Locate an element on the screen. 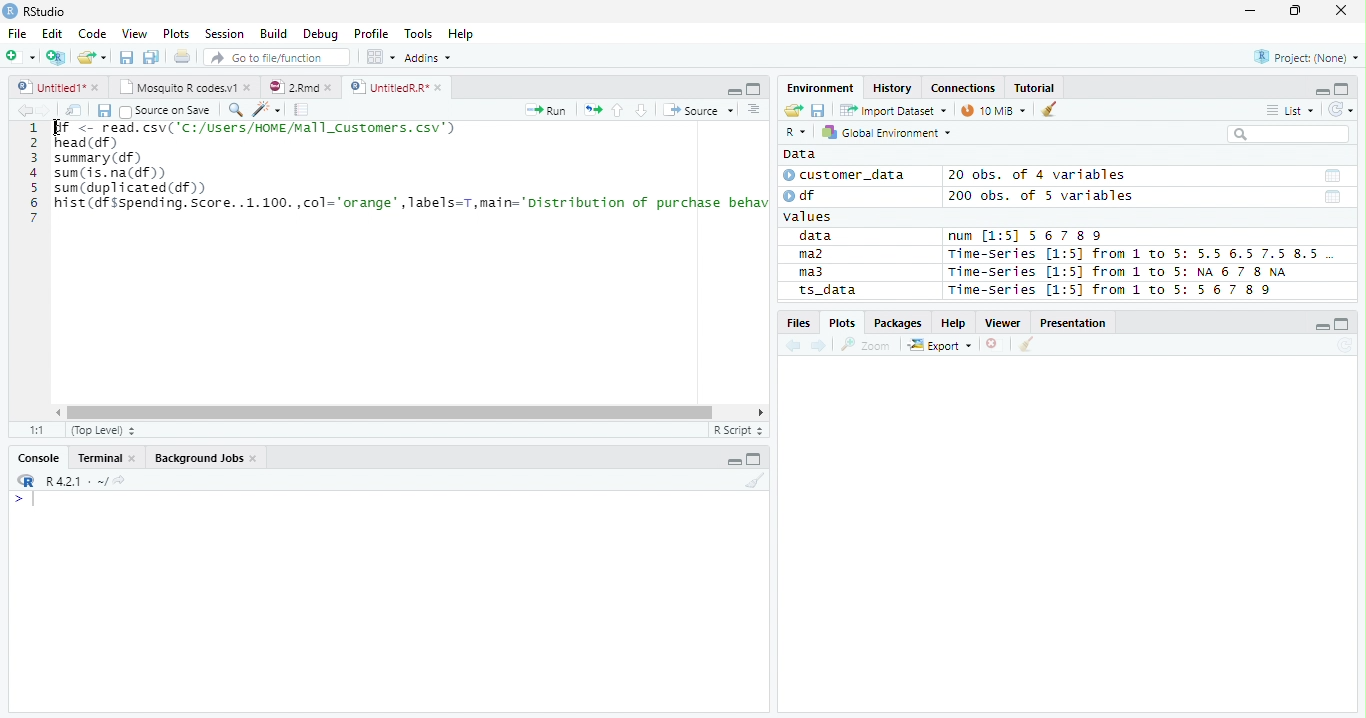 The image size is (1366, 718). Run is located at coordinates (548, 111).